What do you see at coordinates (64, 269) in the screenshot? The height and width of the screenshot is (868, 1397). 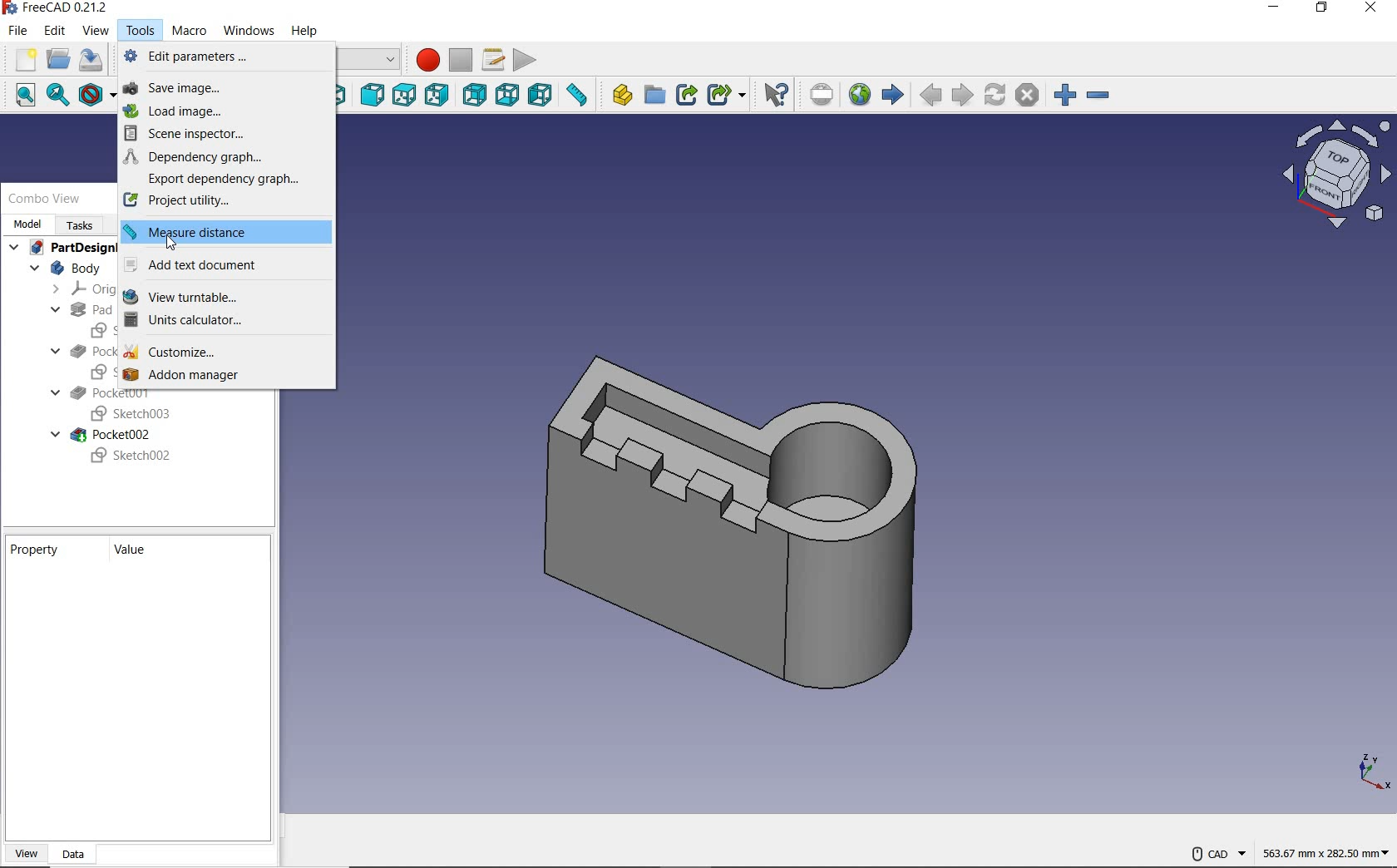 I see `BODY` at bounding box center [64, 269].